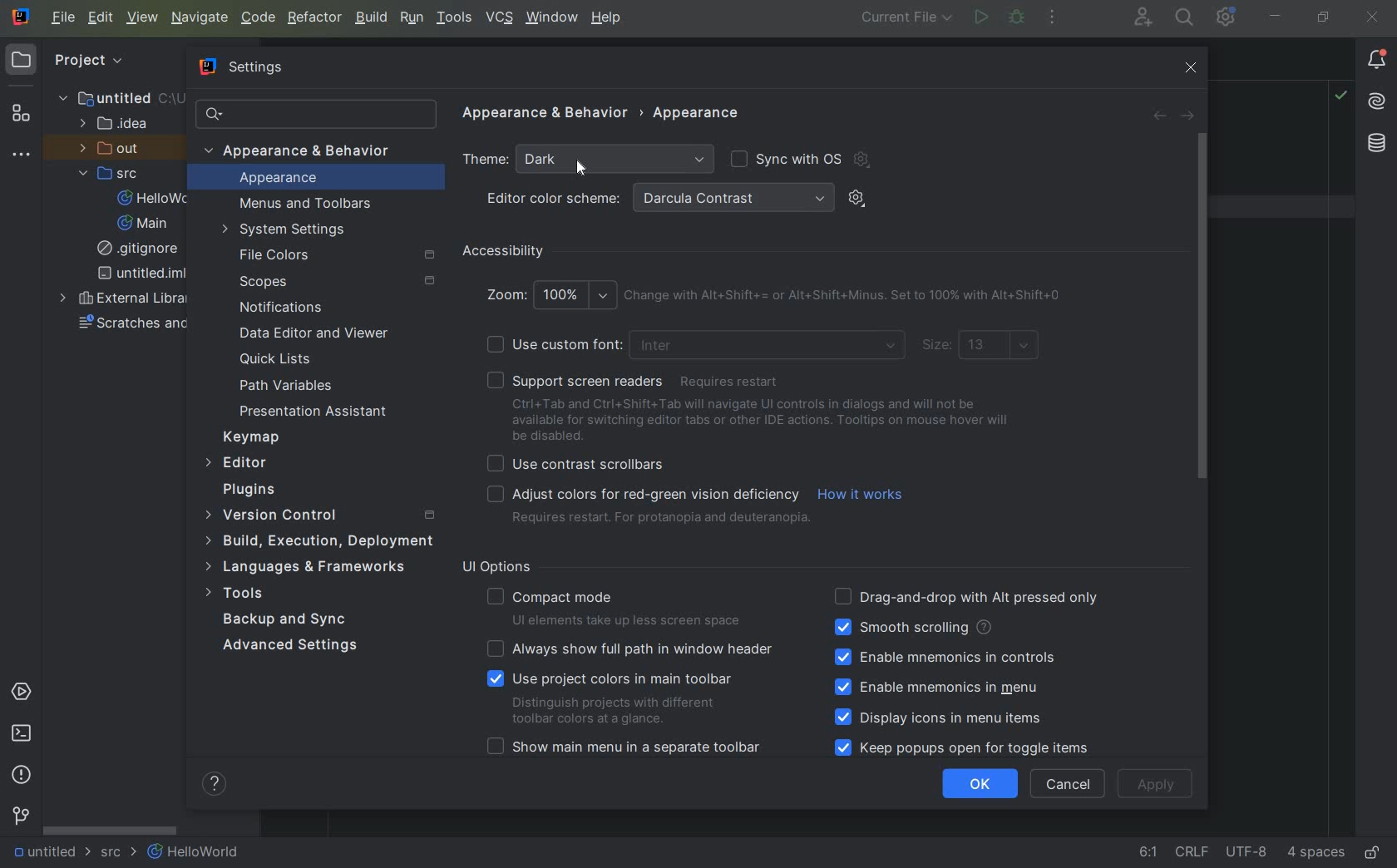 This screenshot has height=868, width=1397. I want to click on SERVICES, so click(22, 693).